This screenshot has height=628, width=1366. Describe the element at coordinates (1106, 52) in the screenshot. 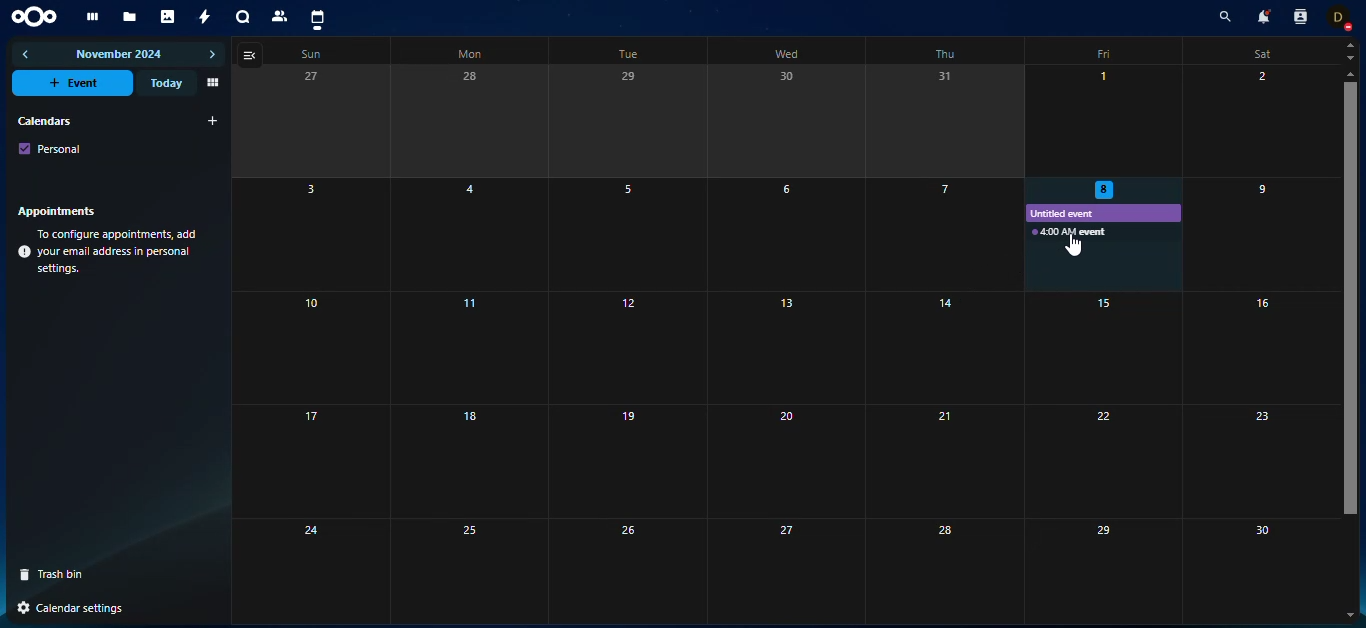

I see `fri` at that location.